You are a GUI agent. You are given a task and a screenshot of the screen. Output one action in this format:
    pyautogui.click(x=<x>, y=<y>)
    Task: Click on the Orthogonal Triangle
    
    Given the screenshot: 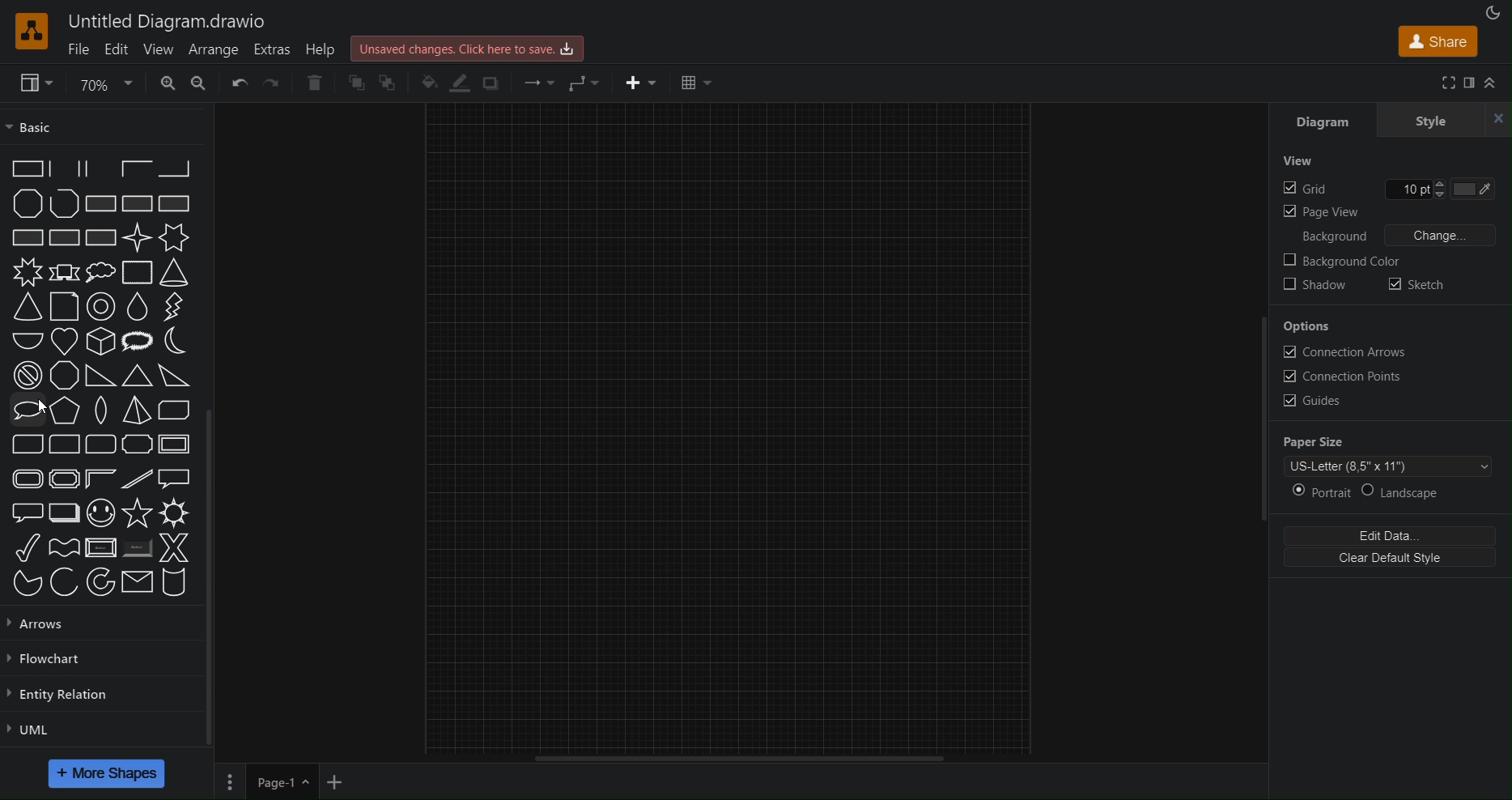 What is the action you would take?
    pyautogui.click(x=100, y=375)
    